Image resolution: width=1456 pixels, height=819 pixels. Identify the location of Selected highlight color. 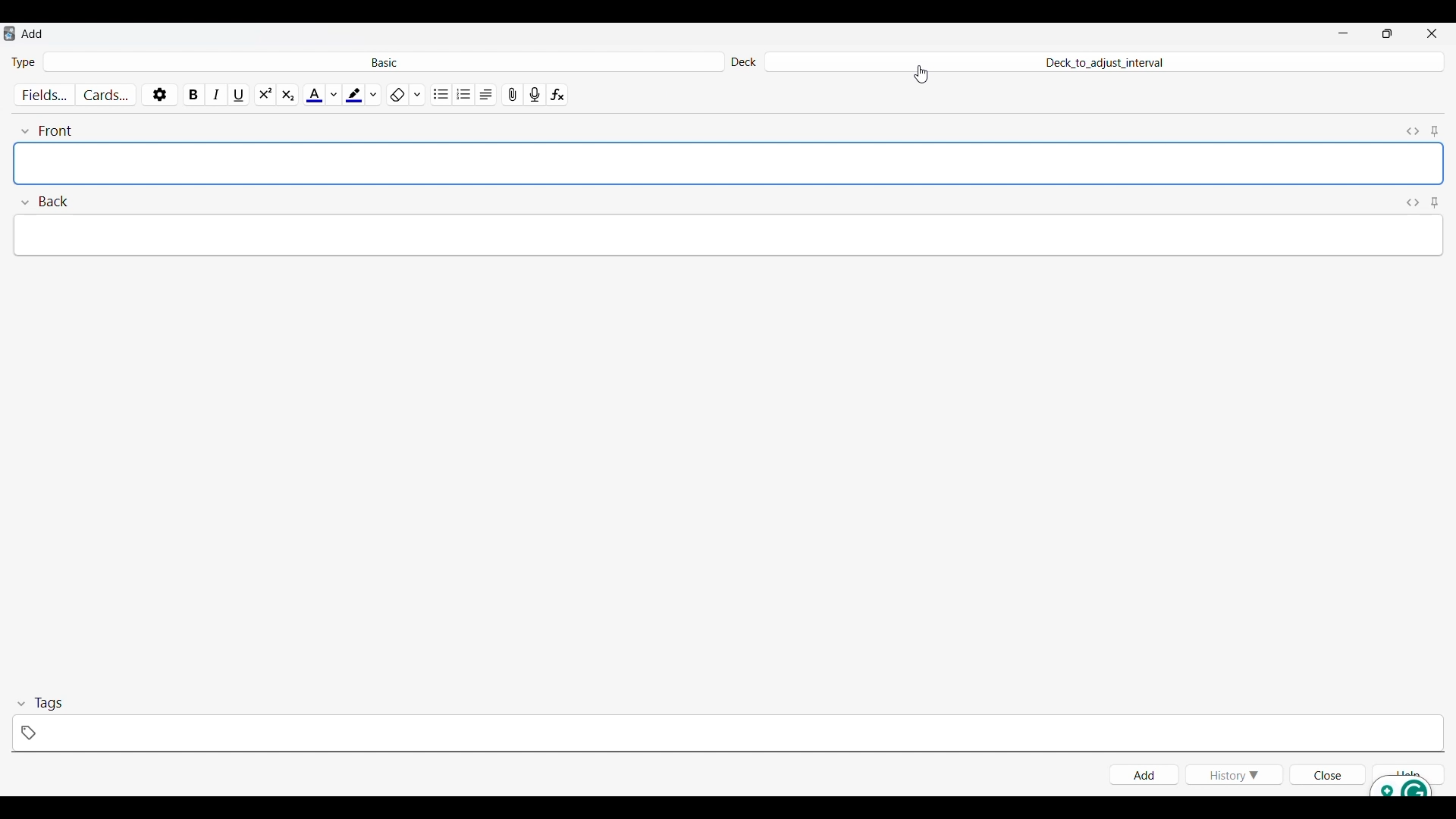
(353, 94).